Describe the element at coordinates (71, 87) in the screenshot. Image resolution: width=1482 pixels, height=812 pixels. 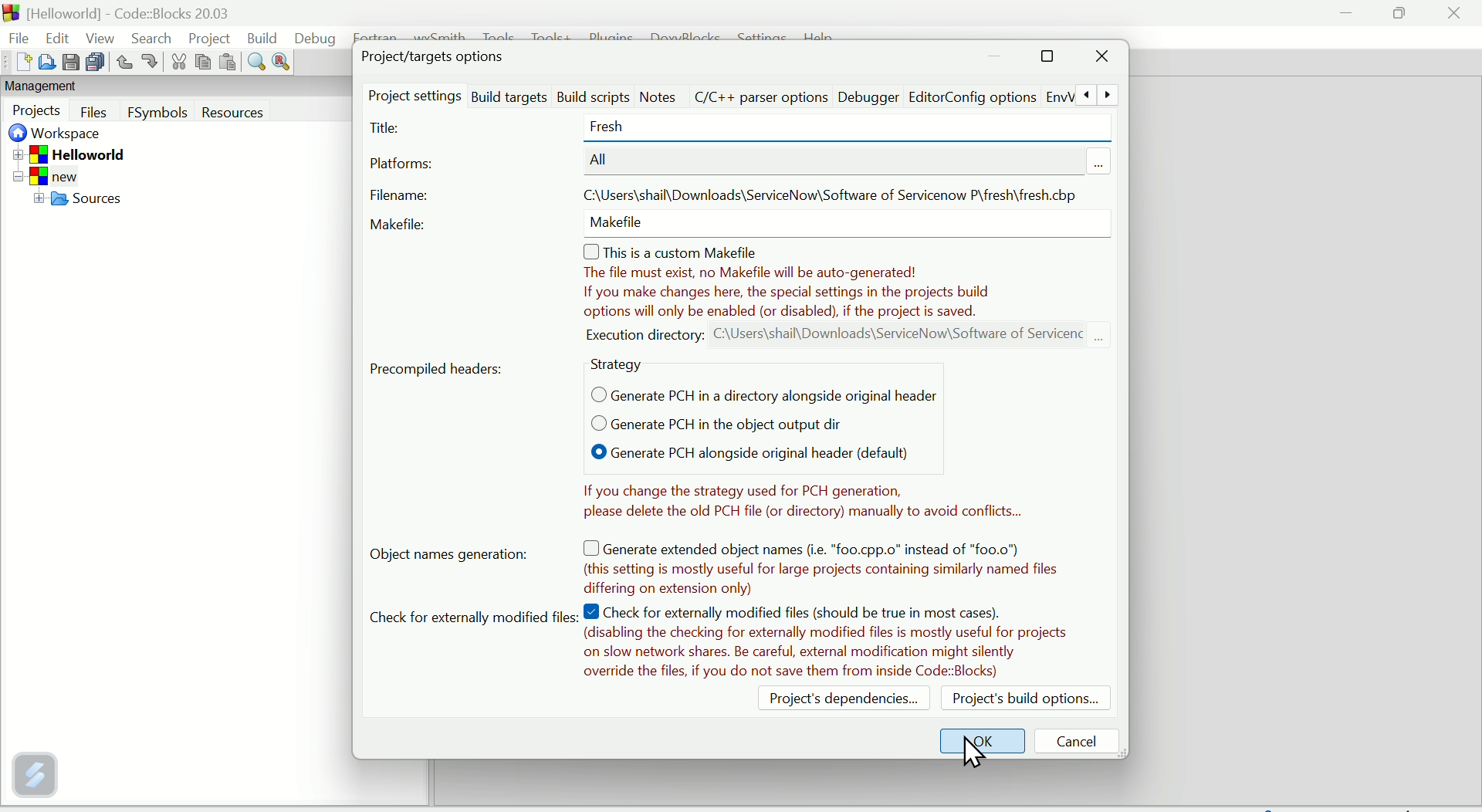
I see `Management` at that location.